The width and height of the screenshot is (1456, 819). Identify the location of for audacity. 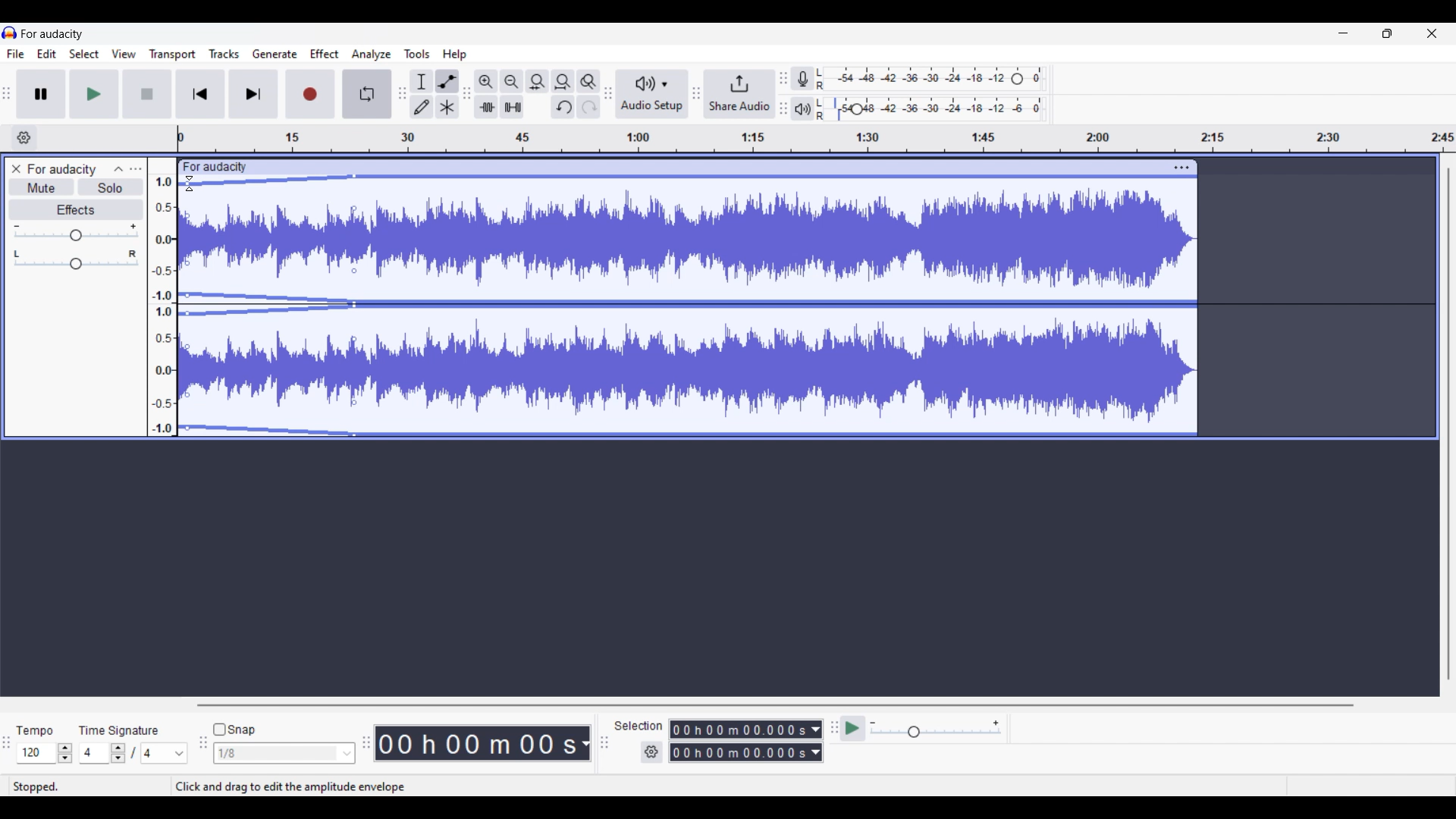
(53, 34).